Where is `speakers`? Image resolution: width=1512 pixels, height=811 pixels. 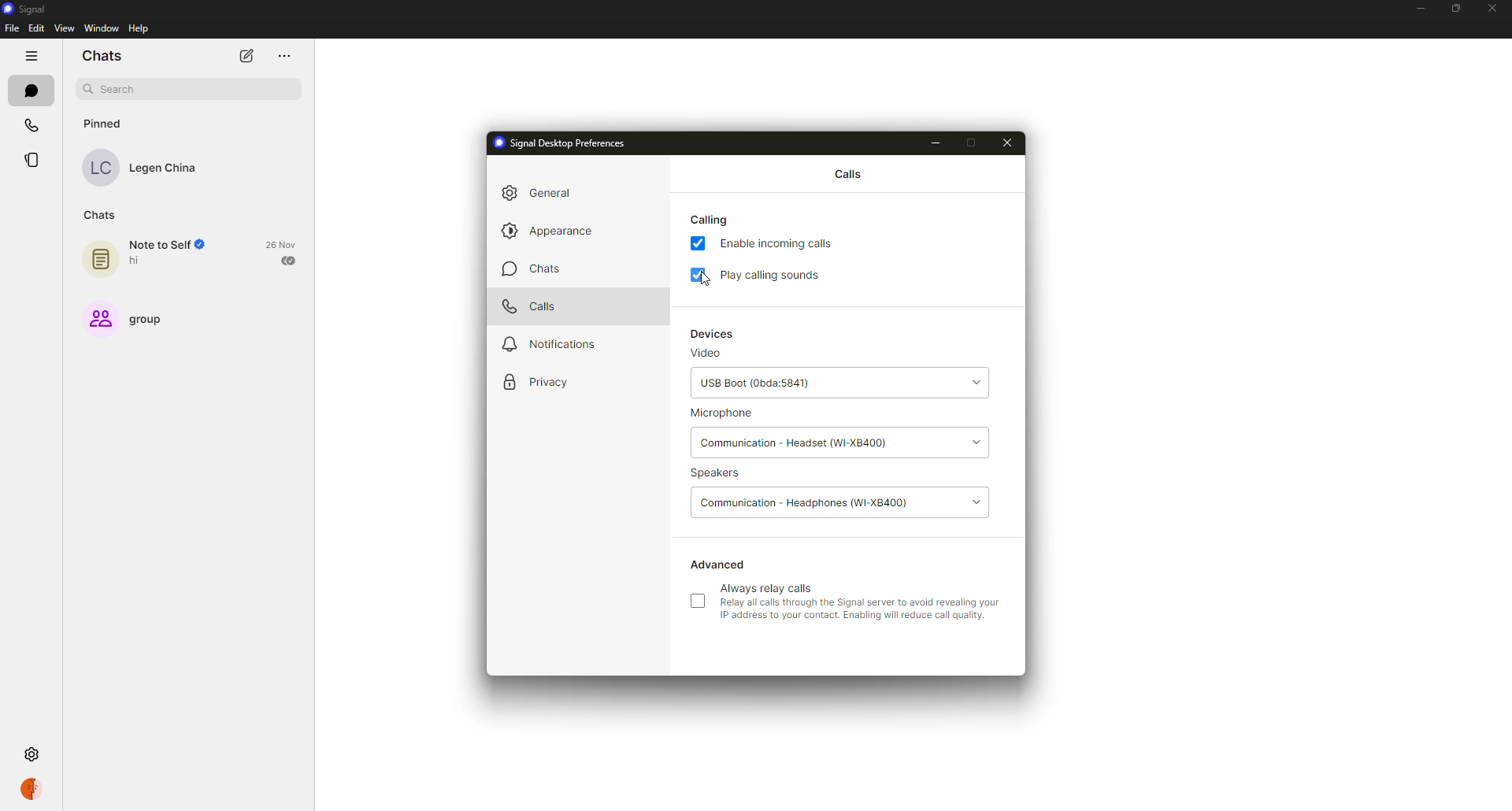
speakers is located at coordinates (721, 473).